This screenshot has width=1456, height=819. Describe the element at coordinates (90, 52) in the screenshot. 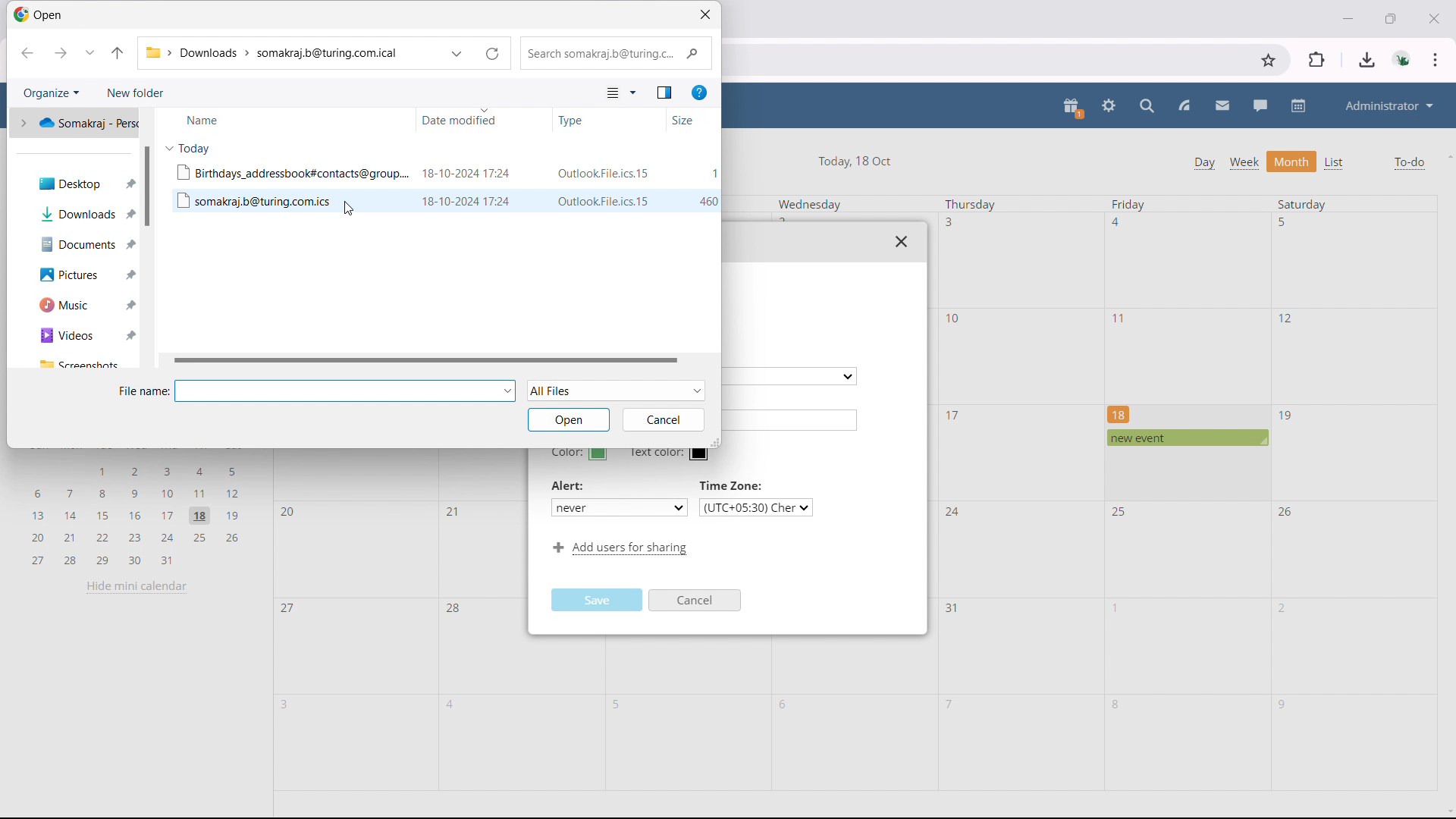

I see `recent location` at that location.